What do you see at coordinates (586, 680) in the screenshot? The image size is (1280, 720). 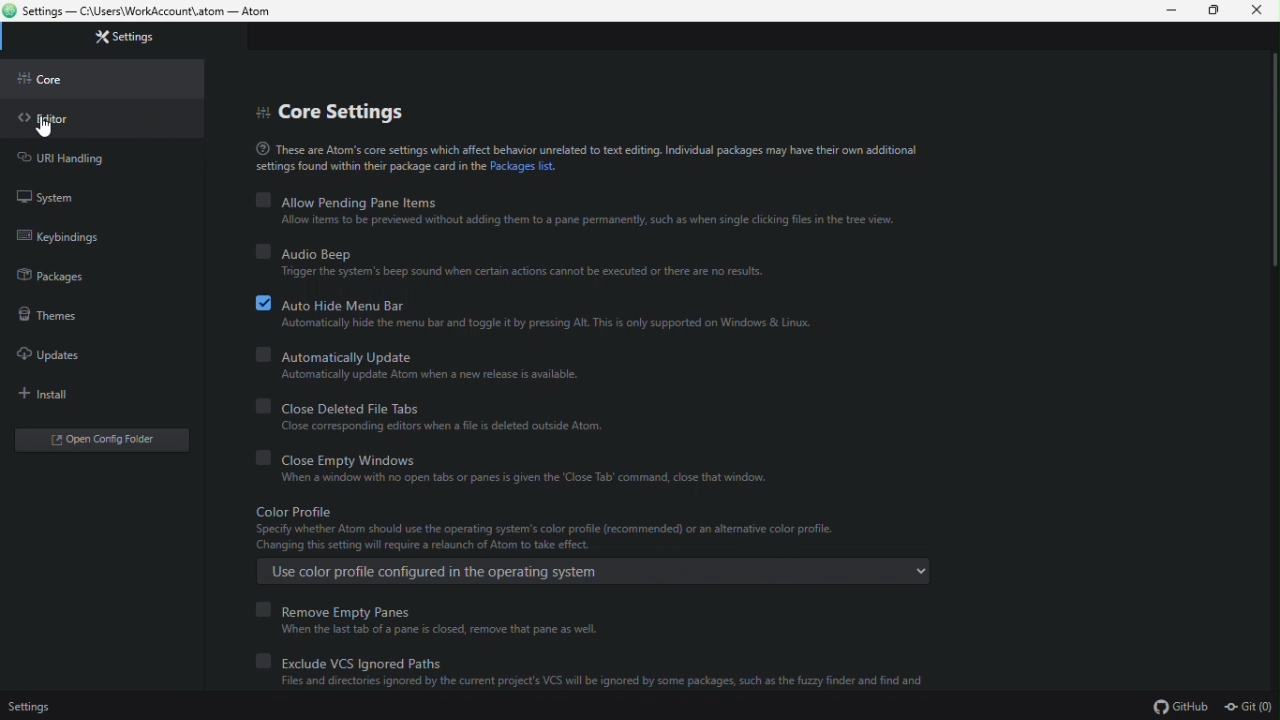 I see `Files and directories ignored by the current project's VCS wil be ignored by some packages, such as the fuzzy finder and find and` at bounding box center [586, 680].